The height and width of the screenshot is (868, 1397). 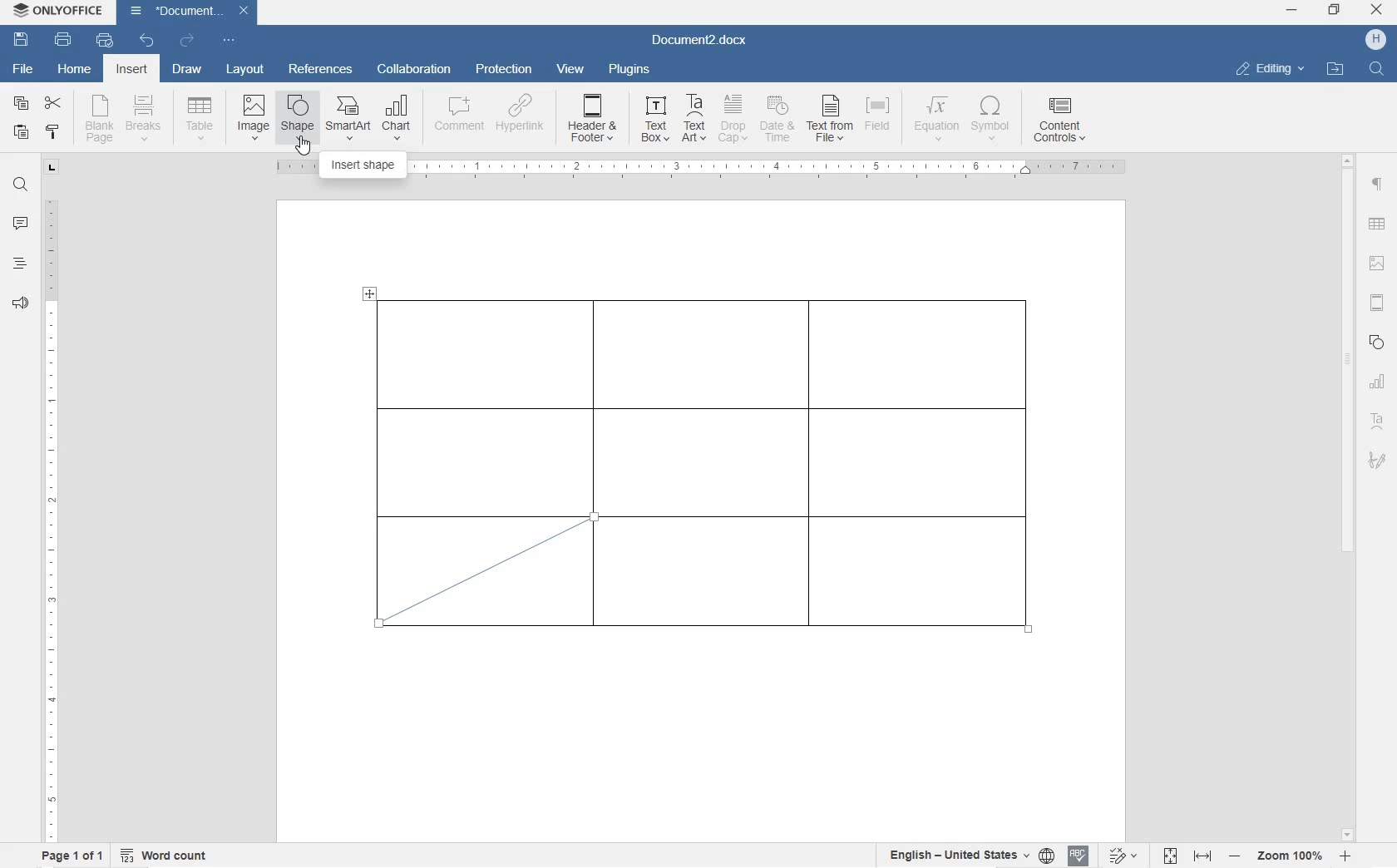 I want to click on TEXT BOX, so click(x=653, y=121).